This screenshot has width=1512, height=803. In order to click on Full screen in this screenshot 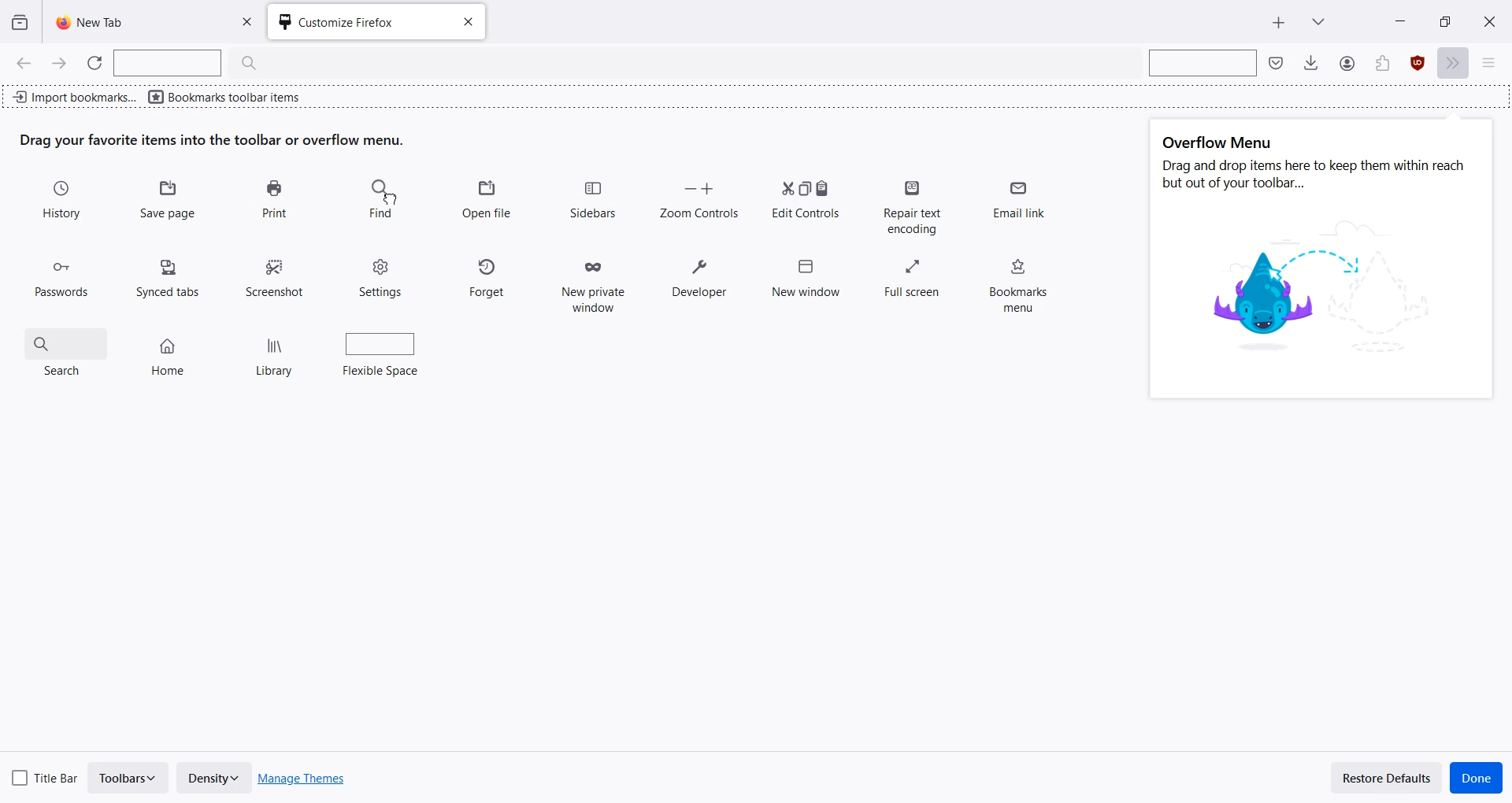, I will do `click(913, 273)`.